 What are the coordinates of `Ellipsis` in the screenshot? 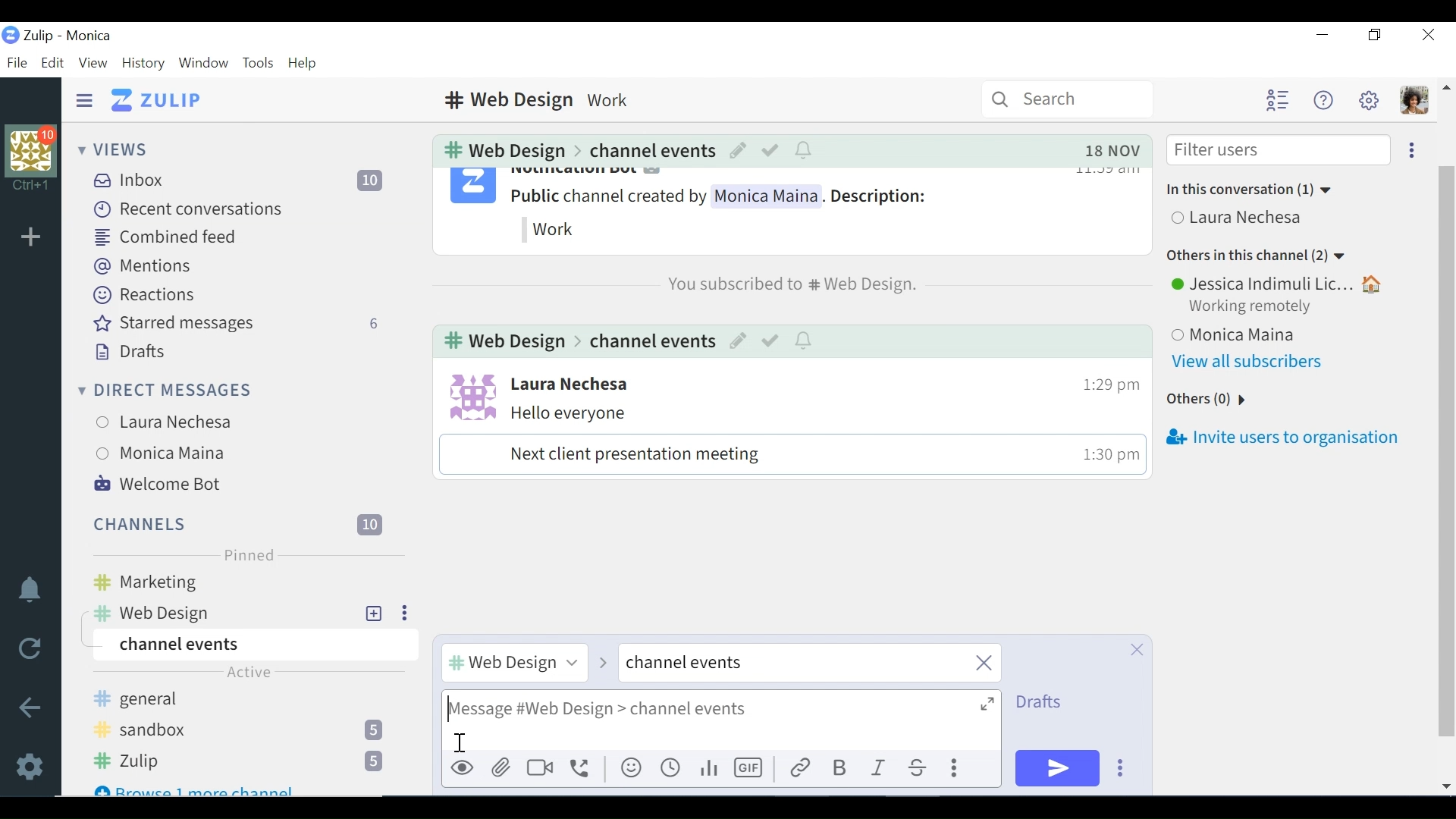 It's located at (402, 613).